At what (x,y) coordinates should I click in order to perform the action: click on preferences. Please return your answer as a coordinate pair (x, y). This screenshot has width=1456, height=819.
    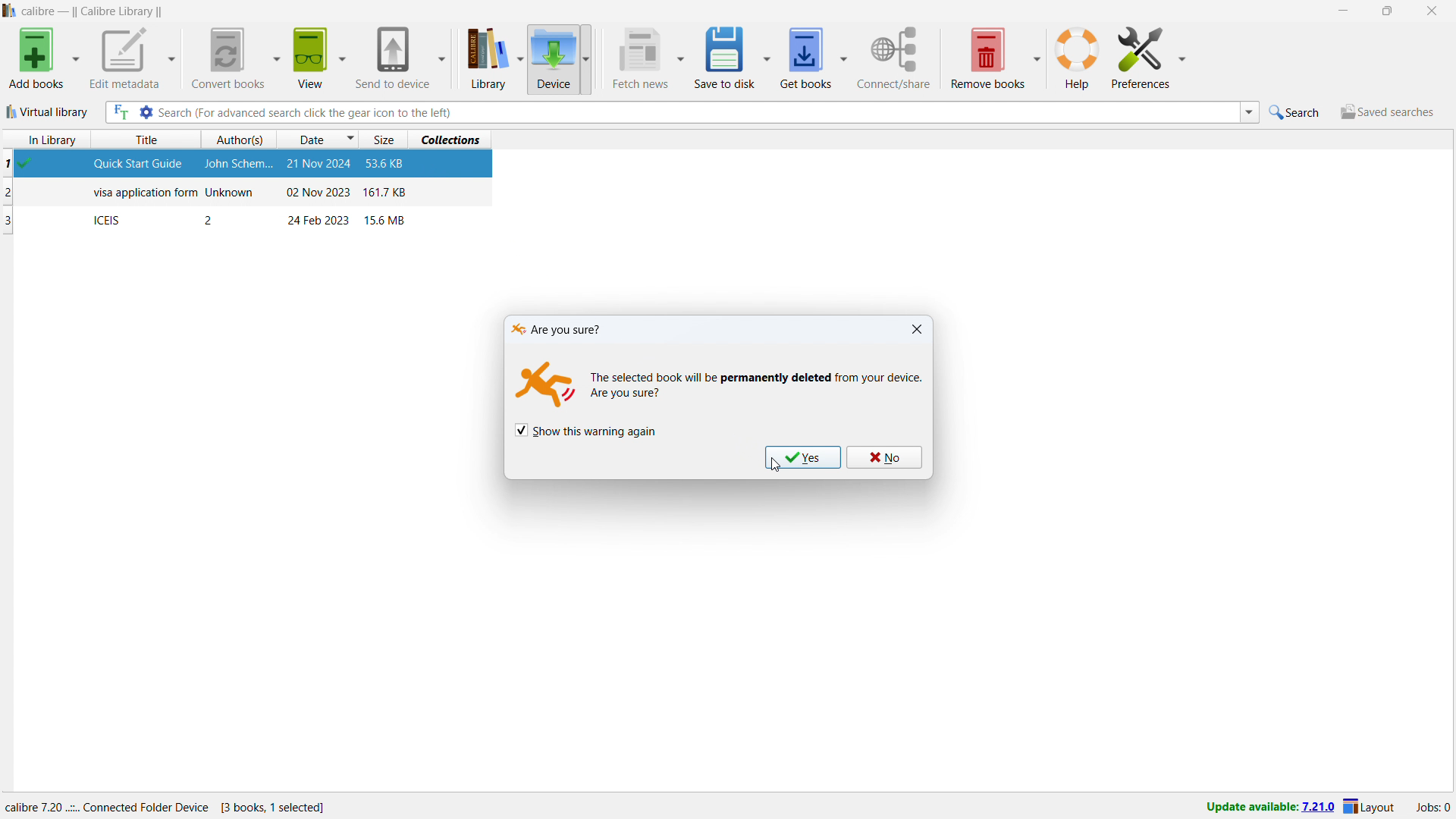
    Looking at the image, I should click on (1141, 55).